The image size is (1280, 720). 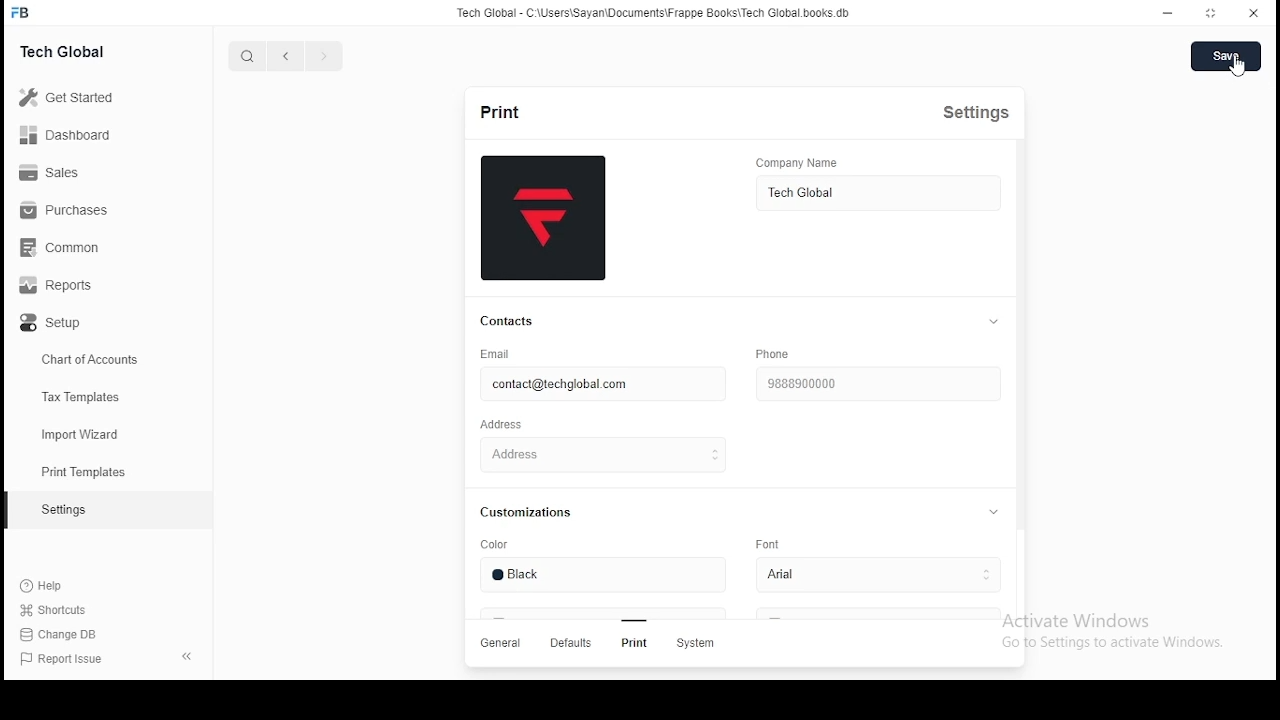 What do you see at coordinates (700, 645) in the screenshot?
I see `system` at bounding box center [700, 645].